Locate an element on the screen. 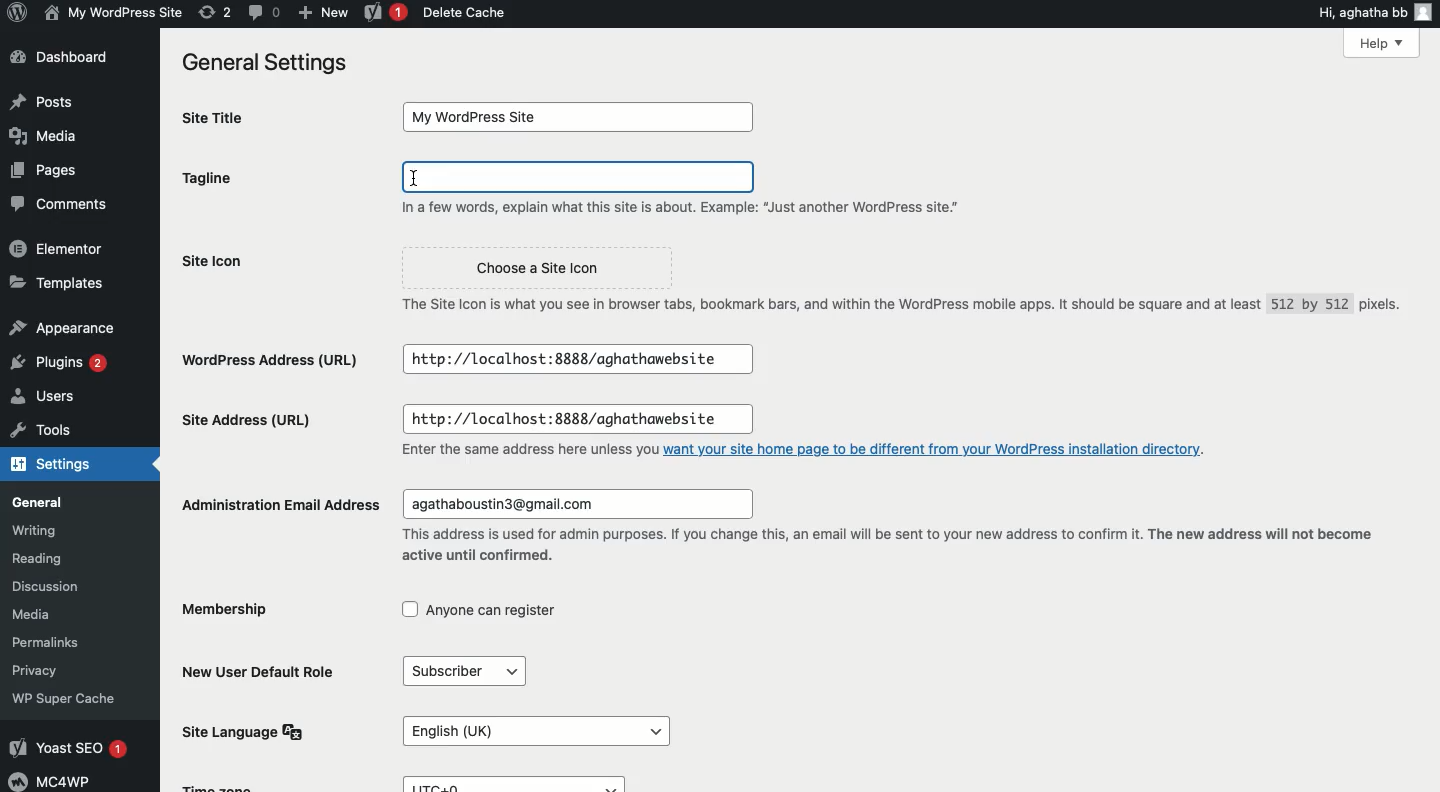 The image size is (1440, 792). Comment is located at coordinates (54, 206).